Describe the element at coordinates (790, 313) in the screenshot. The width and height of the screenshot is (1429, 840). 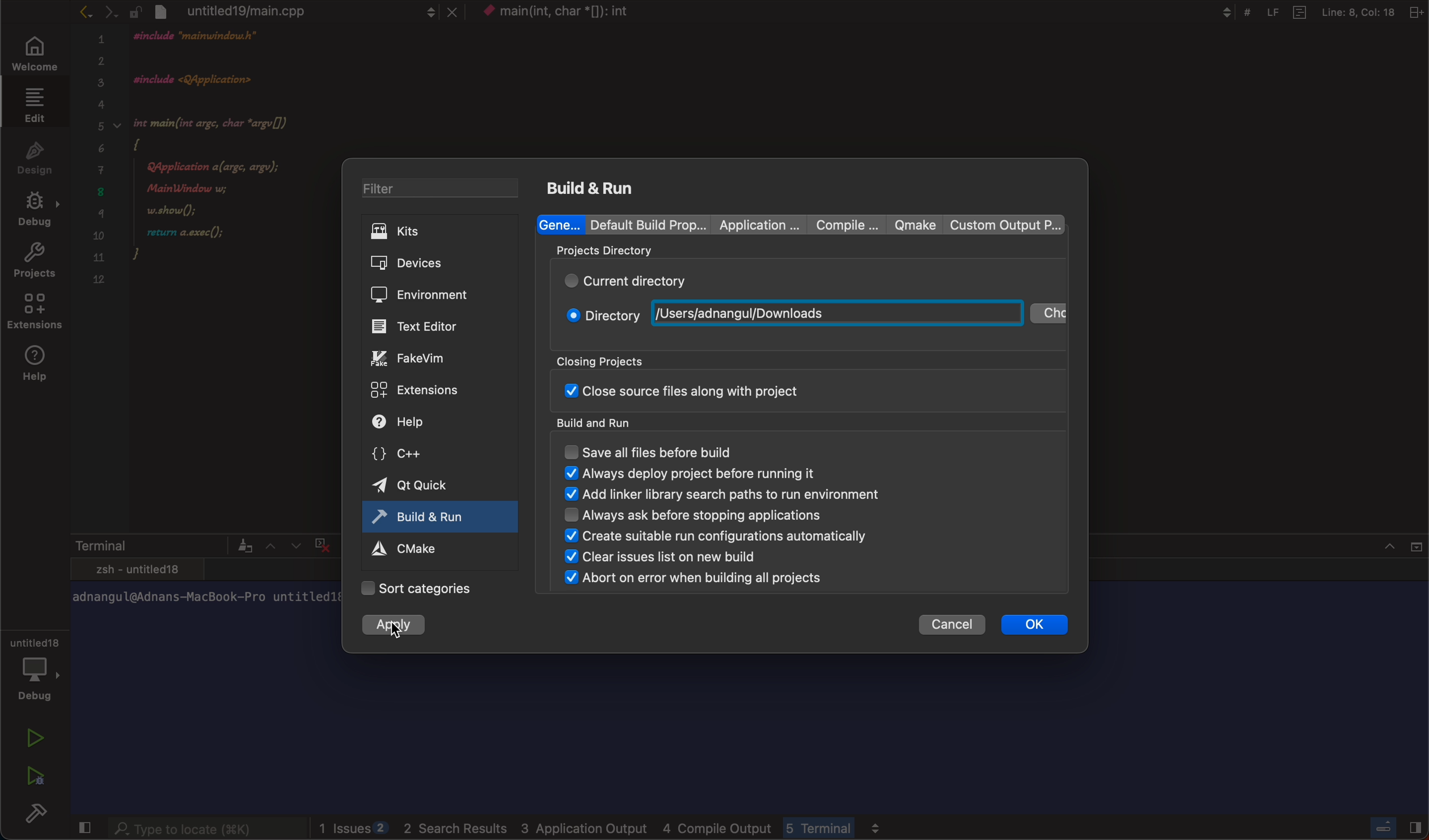
I see `new path` at that location.